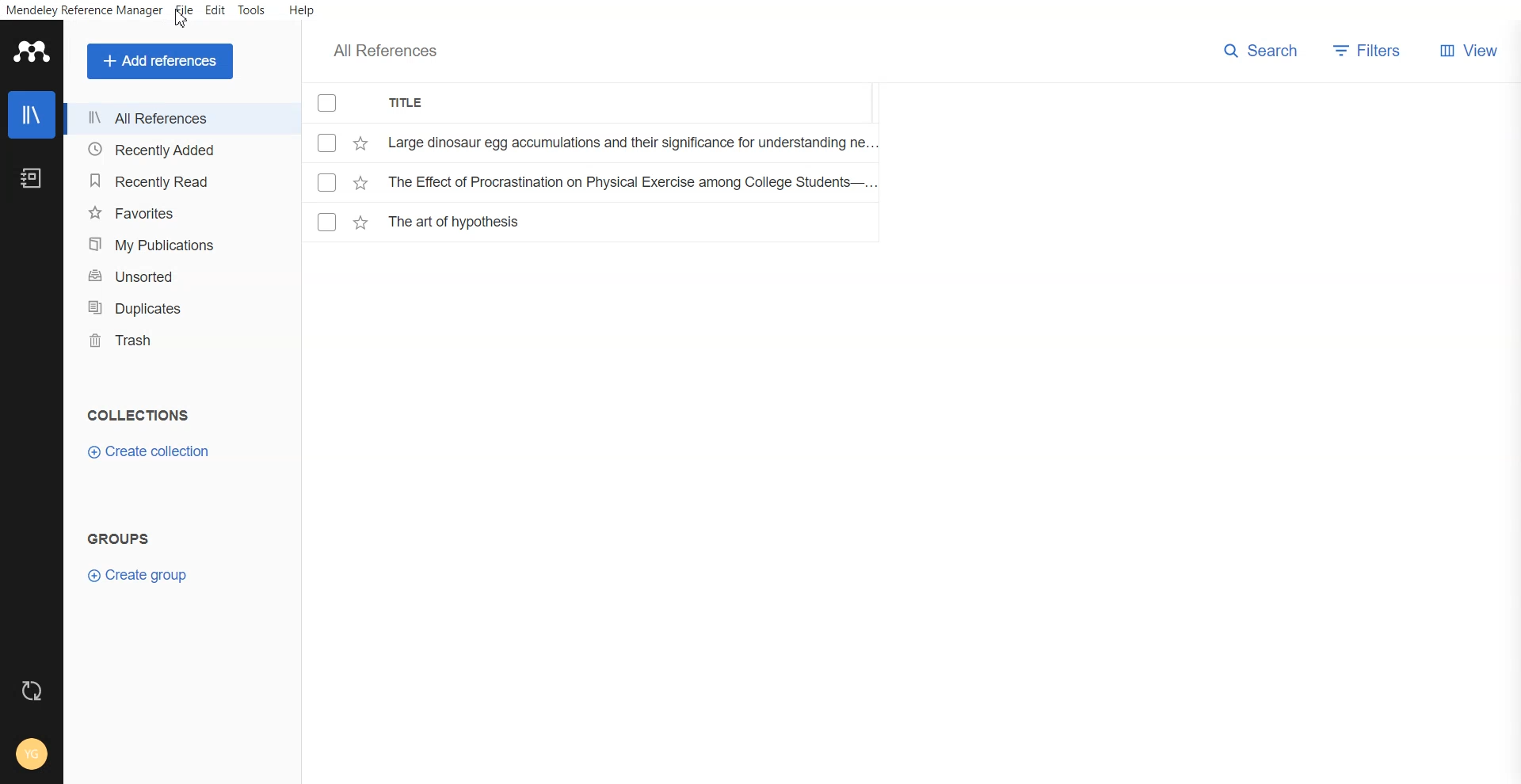 This screenshot has height=784, width=1521. What do you see at coordinates (1371, 51) in the screenshot?
I see `Filters` at bounding box center [1371, 51].